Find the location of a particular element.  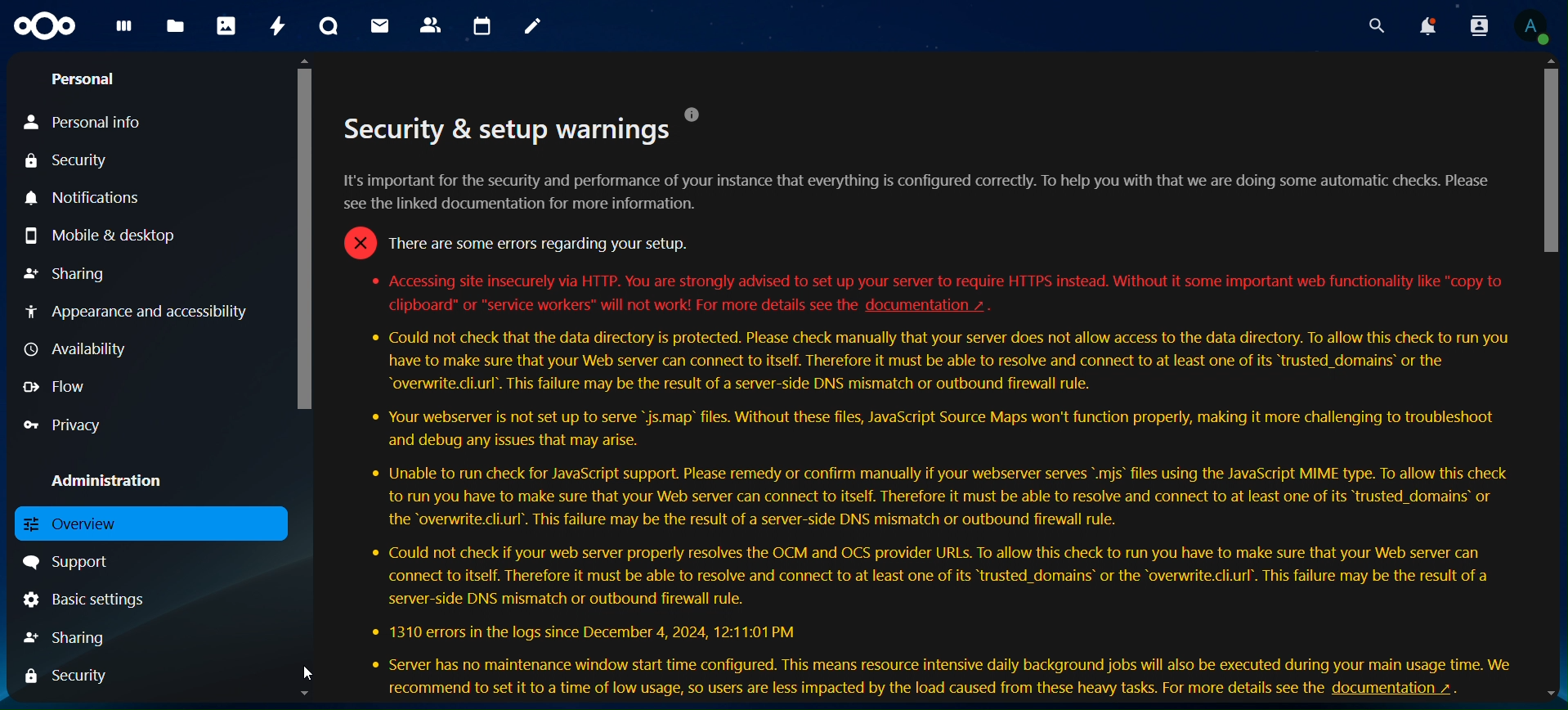

talk is located at coordinates (329, 25).